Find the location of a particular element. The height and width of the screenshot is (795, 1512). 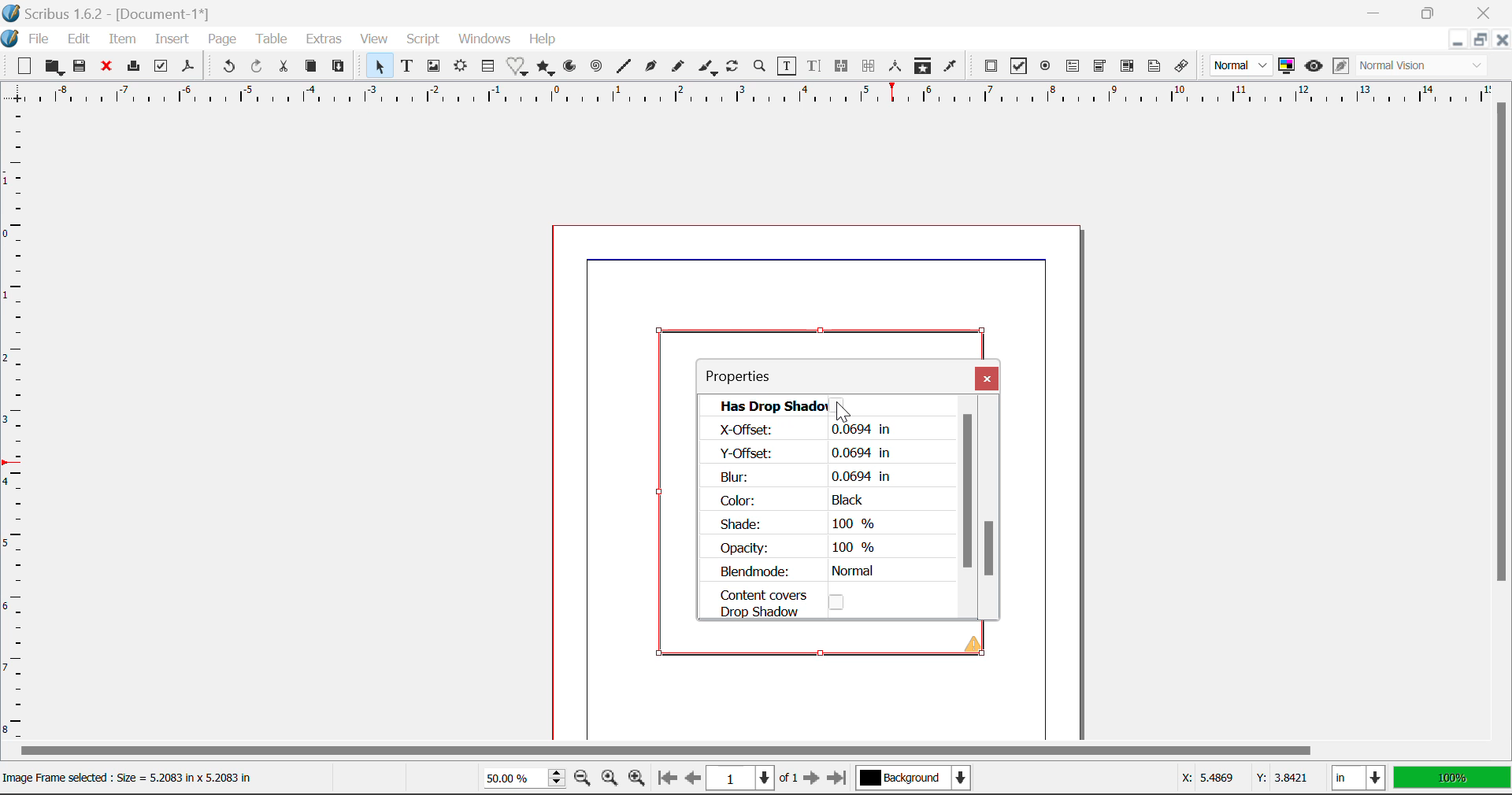

Edit in preview mode is located at coordinates (1341, 68).